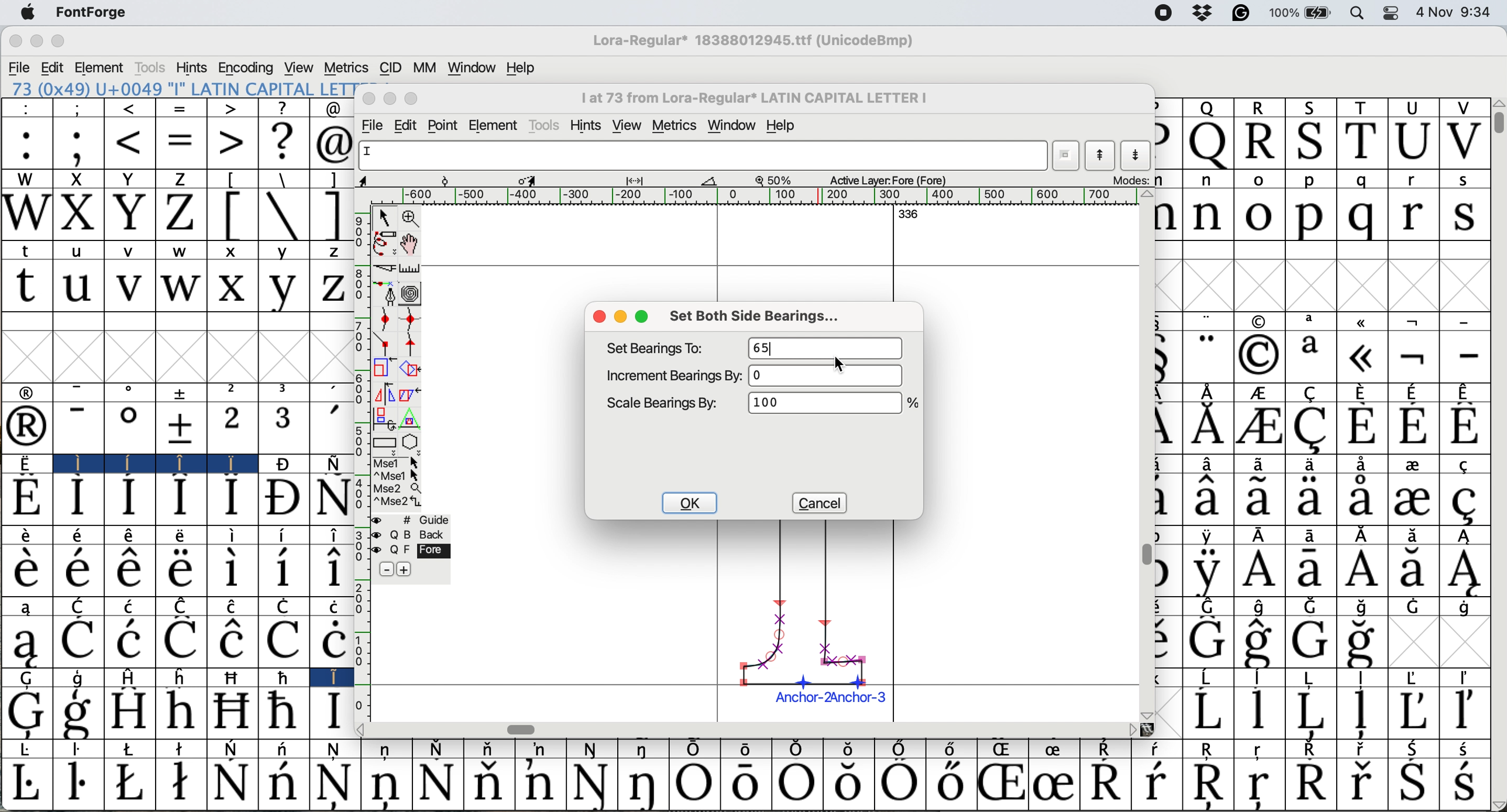  What do you see at coordinates (234, 391) in the screenshot?
I see `2` at bounding box center [234, 391].